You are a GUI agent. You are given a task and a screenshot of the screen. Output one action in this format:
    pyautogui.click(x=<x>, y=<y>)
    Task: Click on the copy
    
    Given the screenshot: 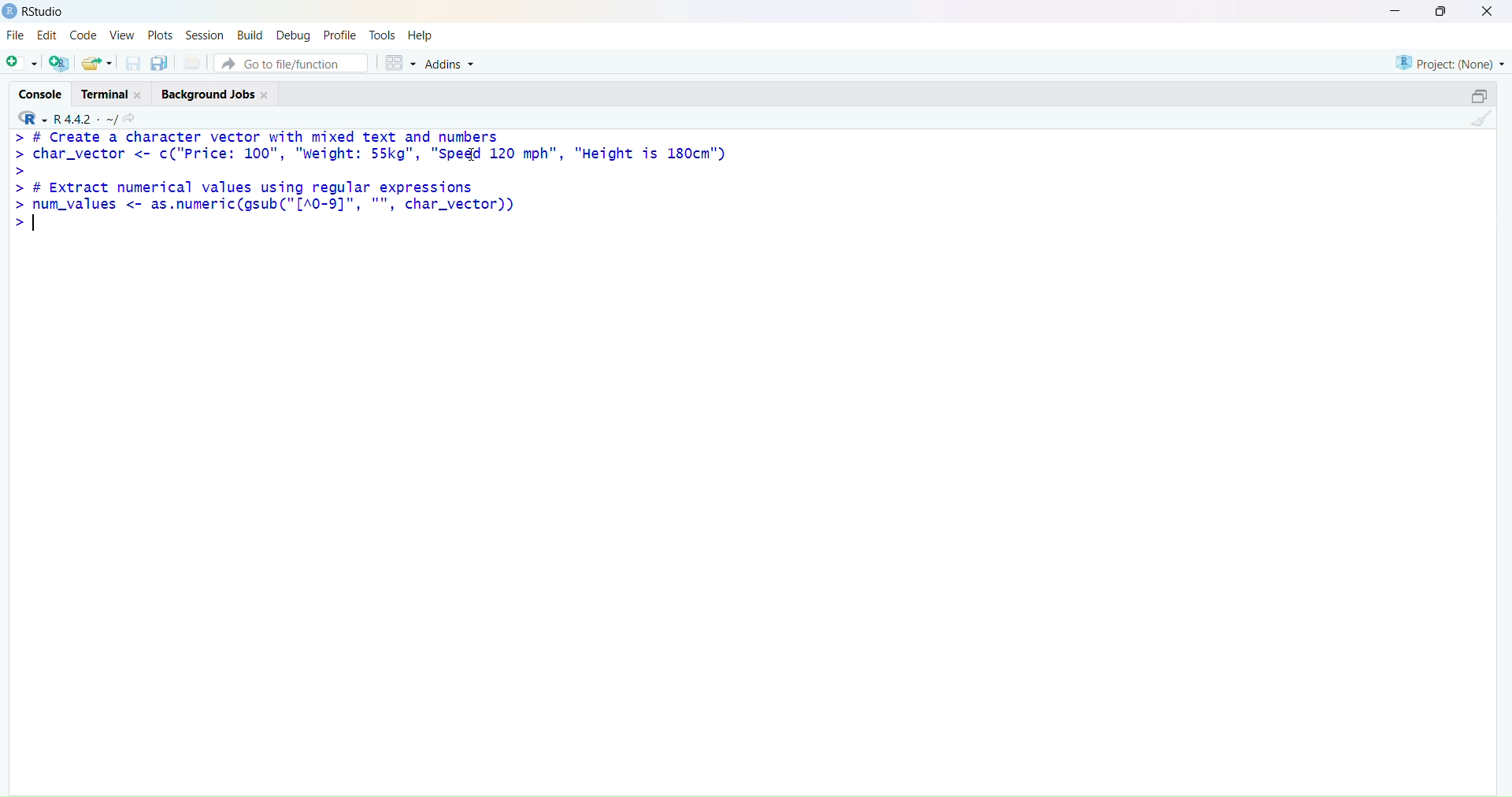 What is the action you would take?
    pyautogui.click(x=159, y=63)
    